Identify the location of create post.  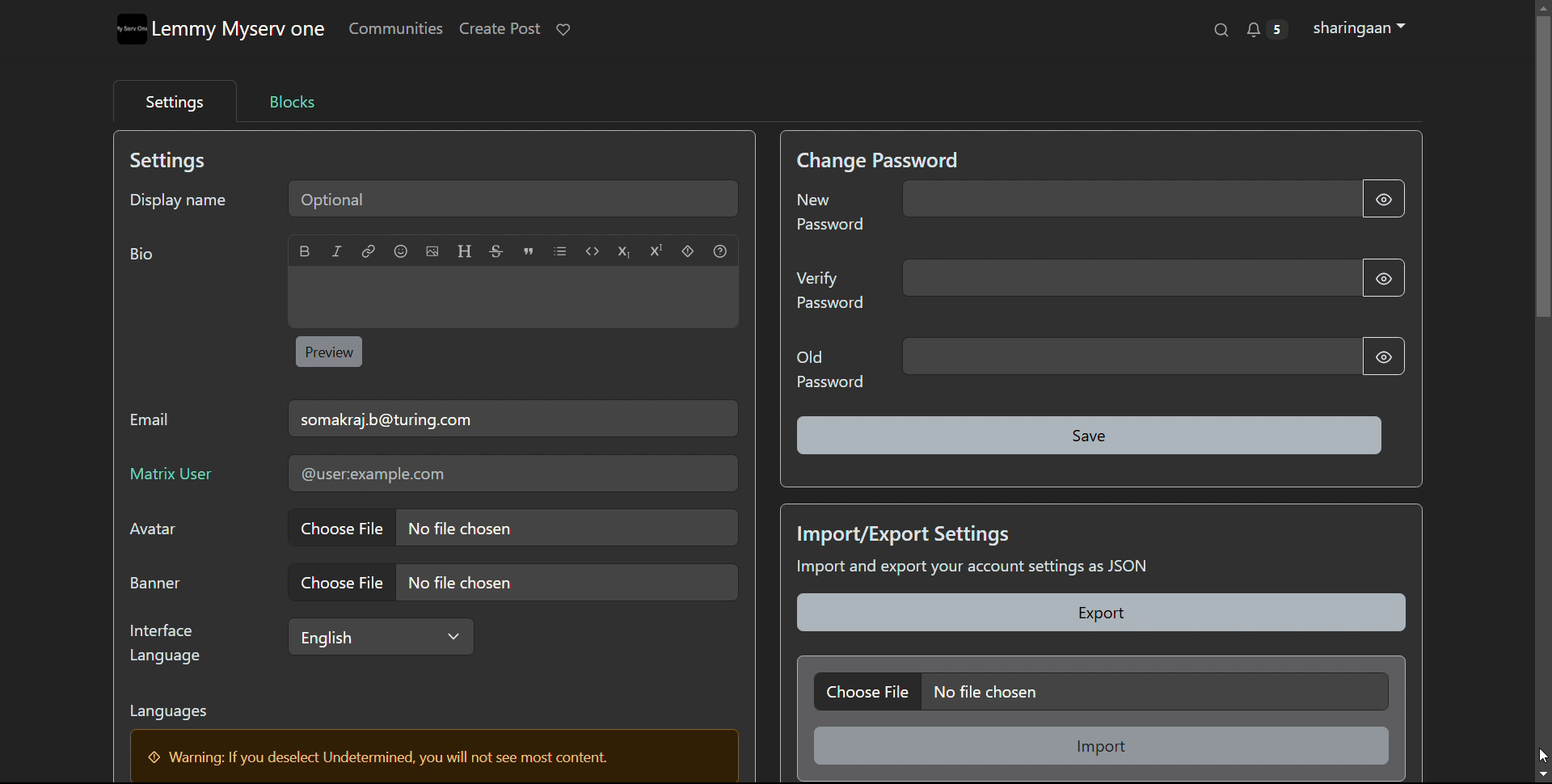
(498, 29).